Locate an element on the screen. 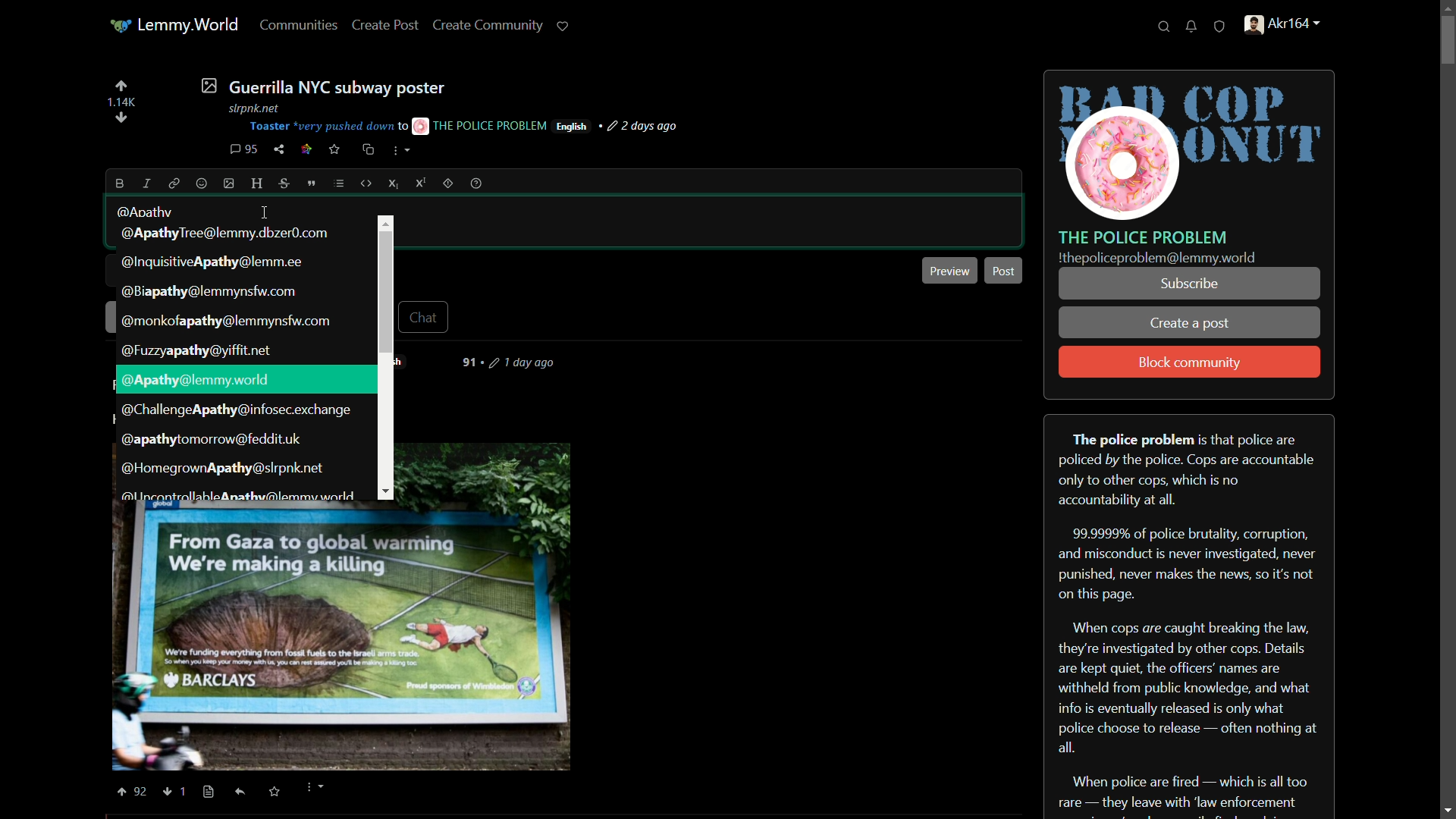 This screenshot has height=819, width=1456. scroll bar is located at coordinates (1447, 408).